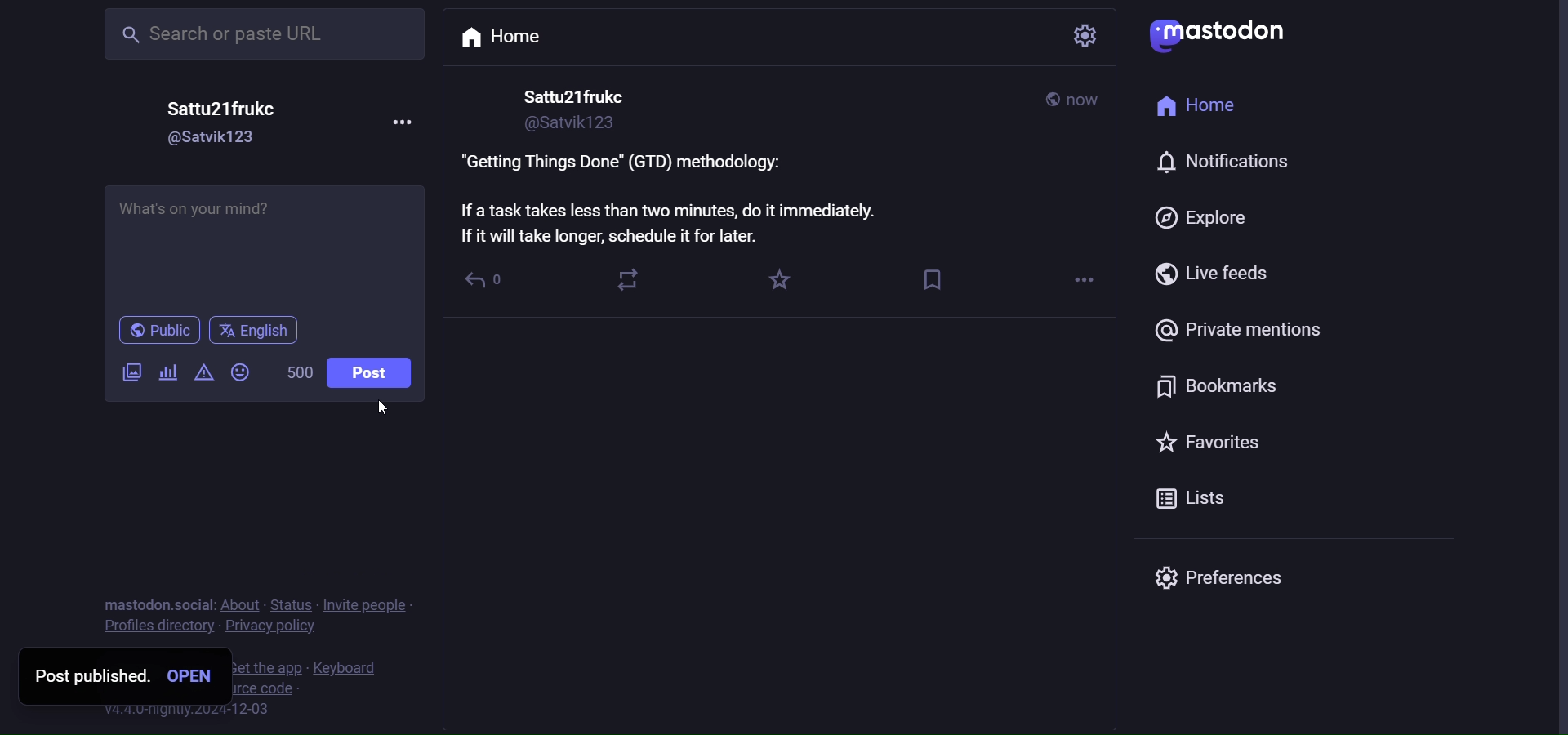 The width and height of the screenshot is (1568, 735). Describe the element at coordinates (577, 96) in the screenshot. I see `name` at that location.